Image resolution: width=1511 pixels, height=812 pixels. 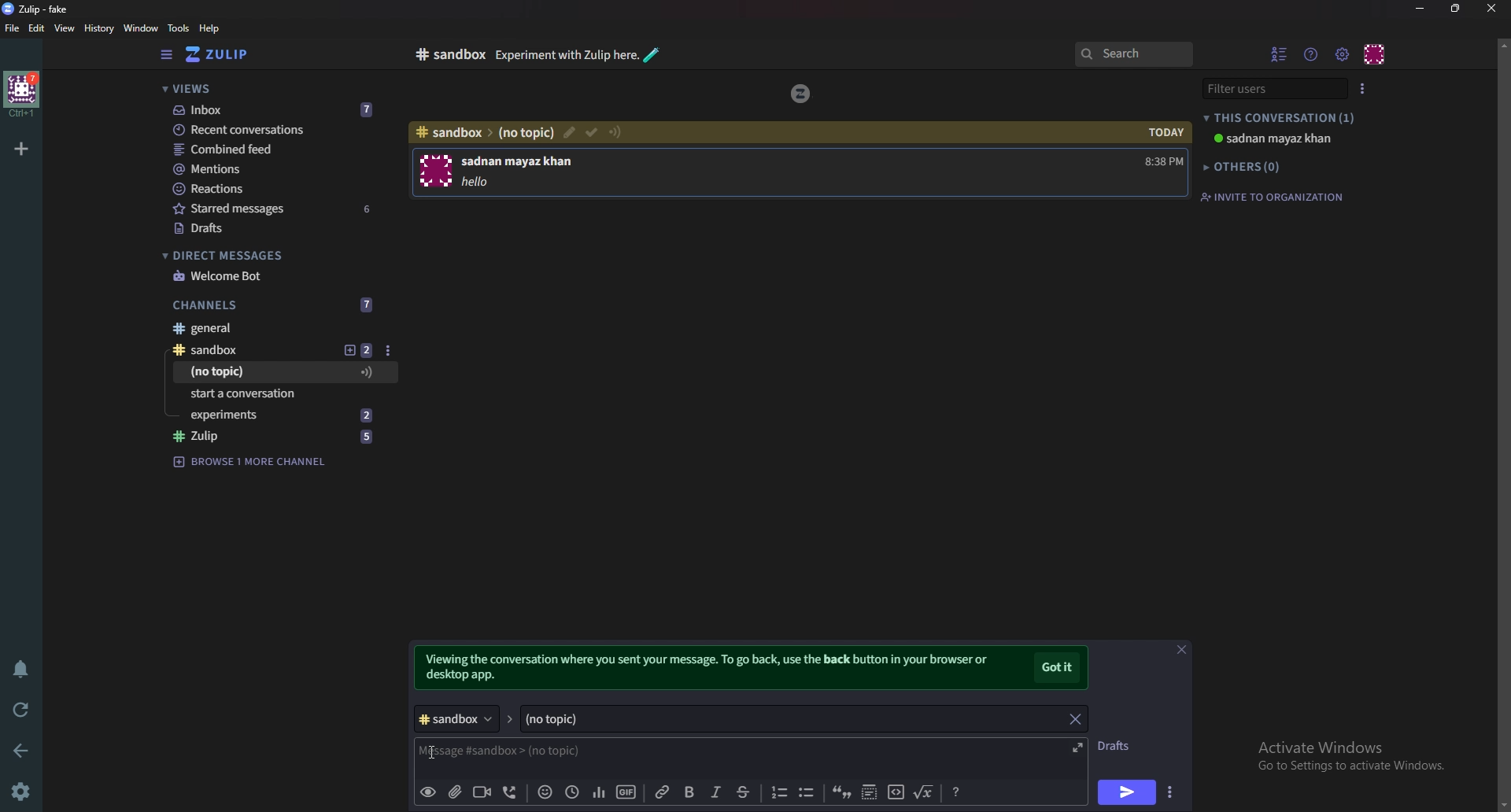 I want to click on got it, so click(x=1062, y=667).